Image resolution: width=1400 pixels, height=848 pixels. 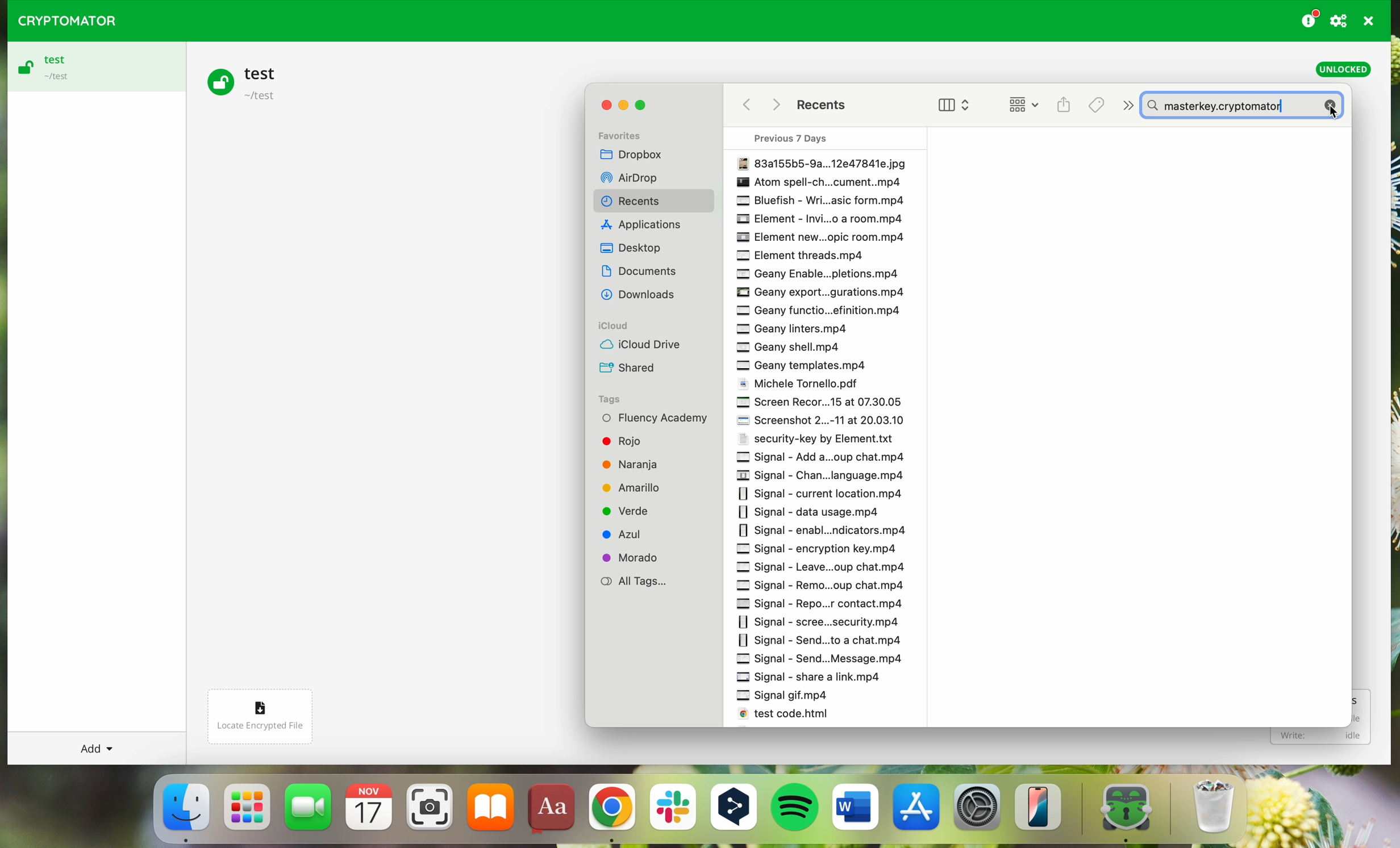 What do you see at coordinates (630, 510) in the screenshot?
I see `Verde` at bounding box center [630, 510].